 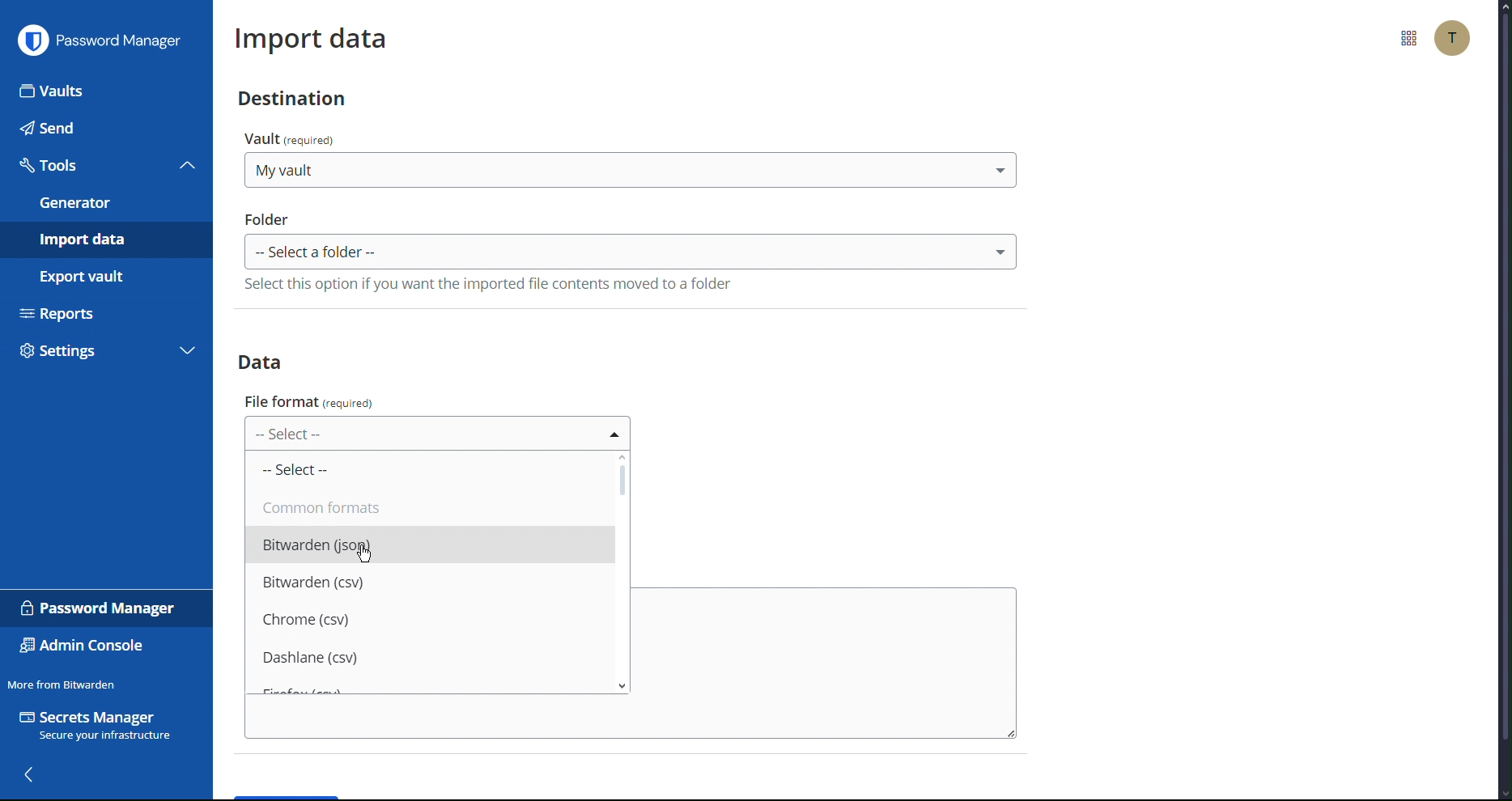 What do you see at coordinates (1502, 795) in the screenshot?
I see `scroll down` at bounding box center [1502, 795].